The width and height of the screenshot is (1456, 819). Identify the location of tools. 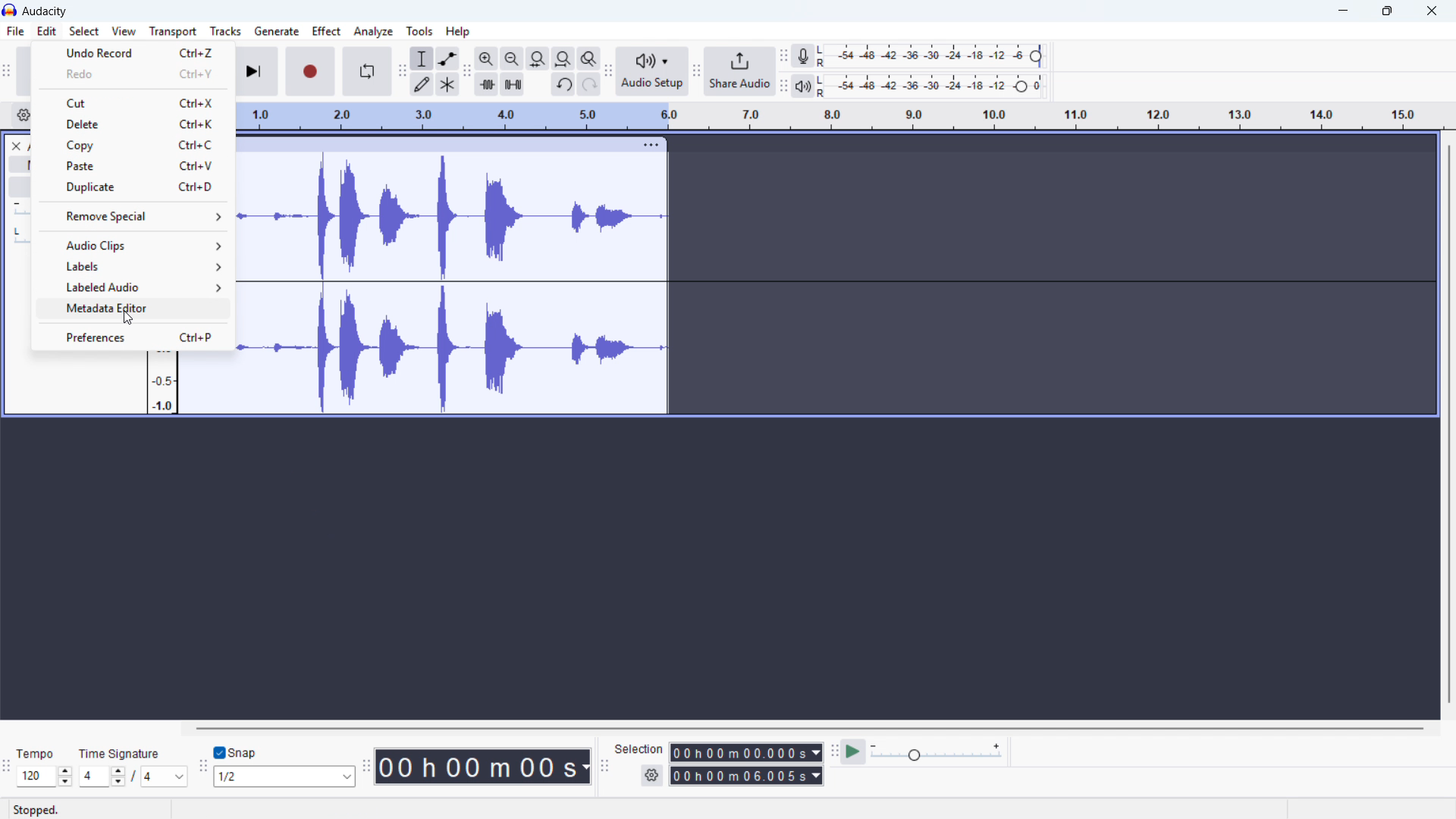
(419, 30).